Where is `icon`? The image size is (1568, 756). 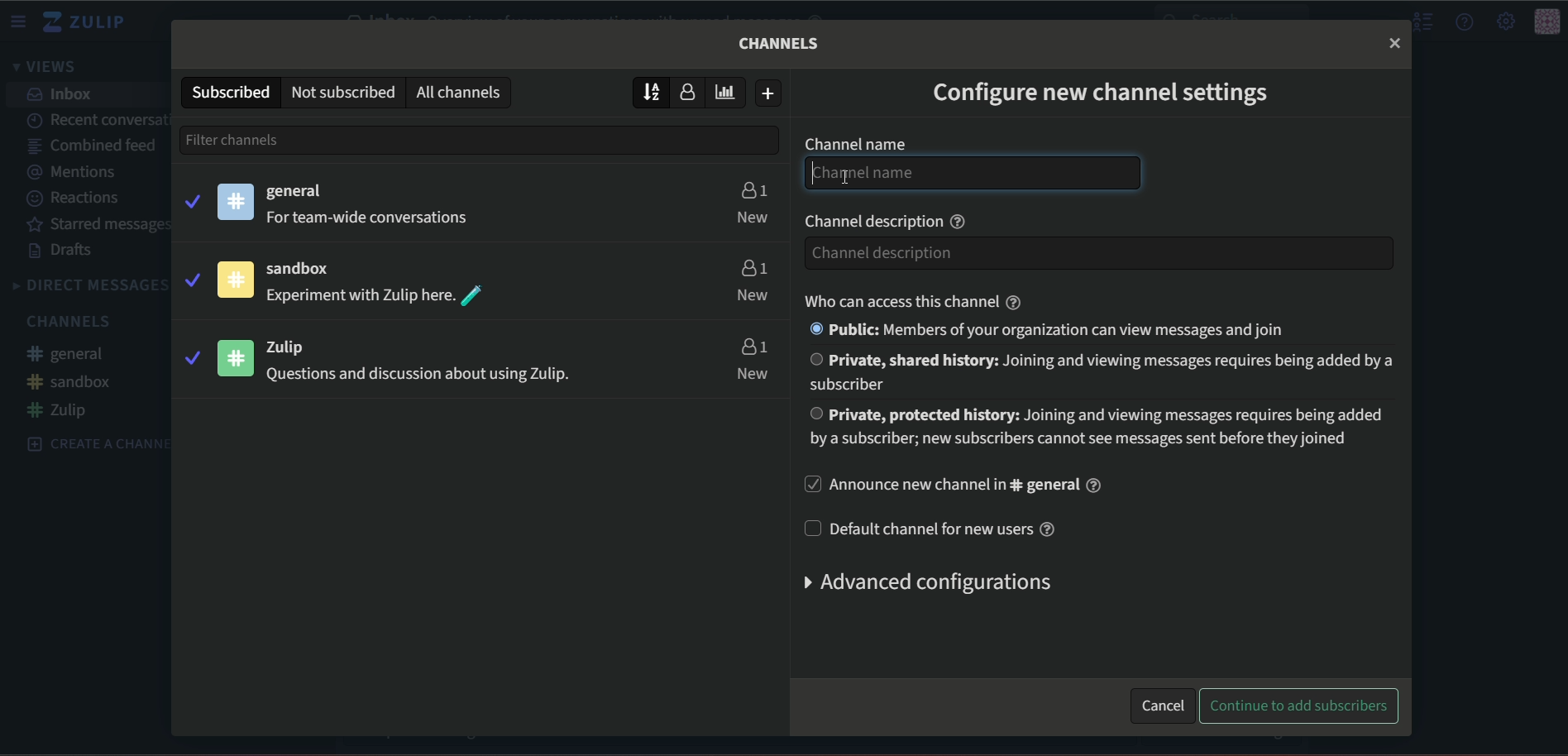 icon is located at coordinates (237, 201).